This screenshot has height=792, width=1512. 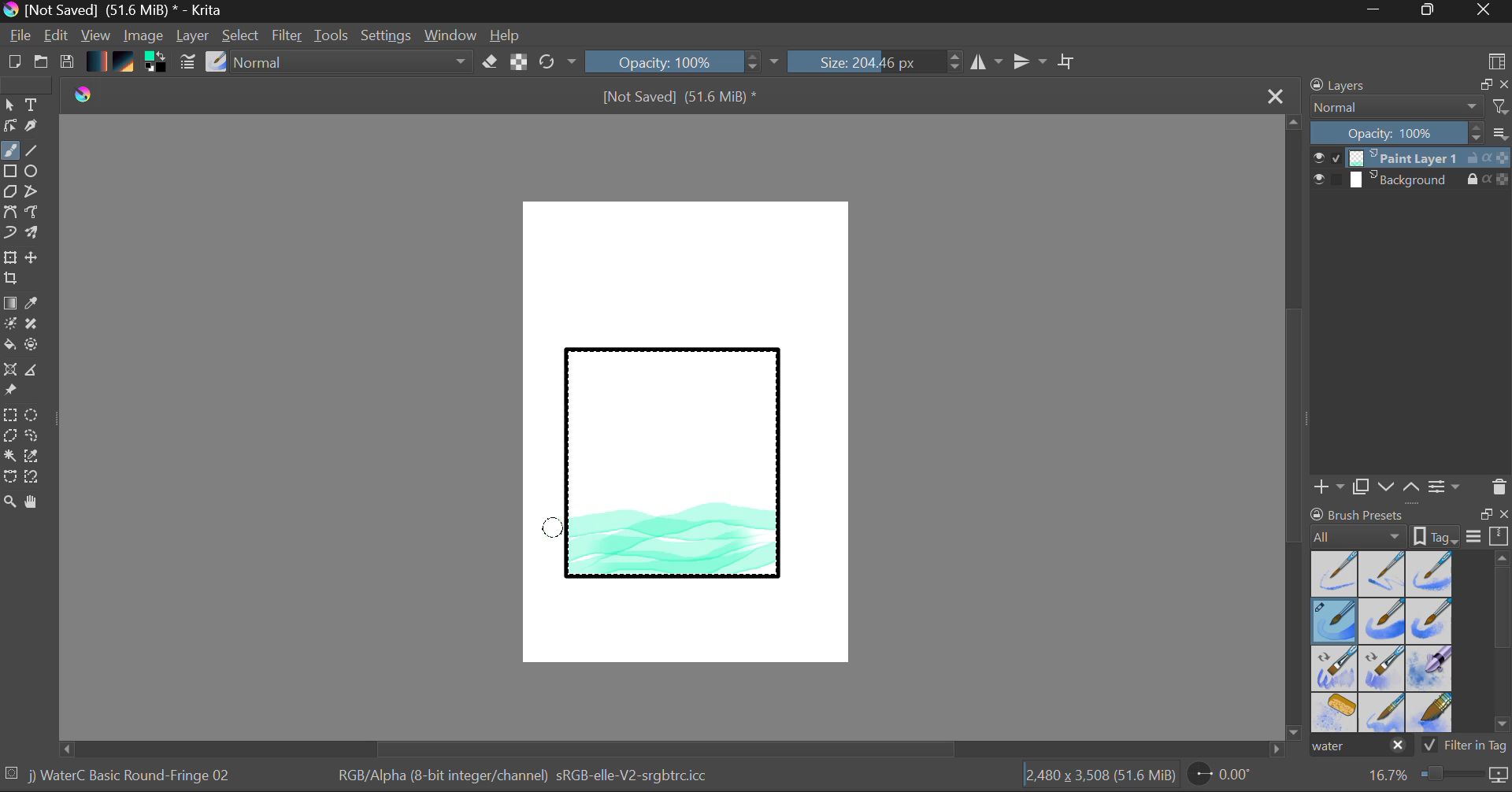 What do you see at coordinates (20, 38) in the screenshot?
I see `File` at bounding box center [20, 38].